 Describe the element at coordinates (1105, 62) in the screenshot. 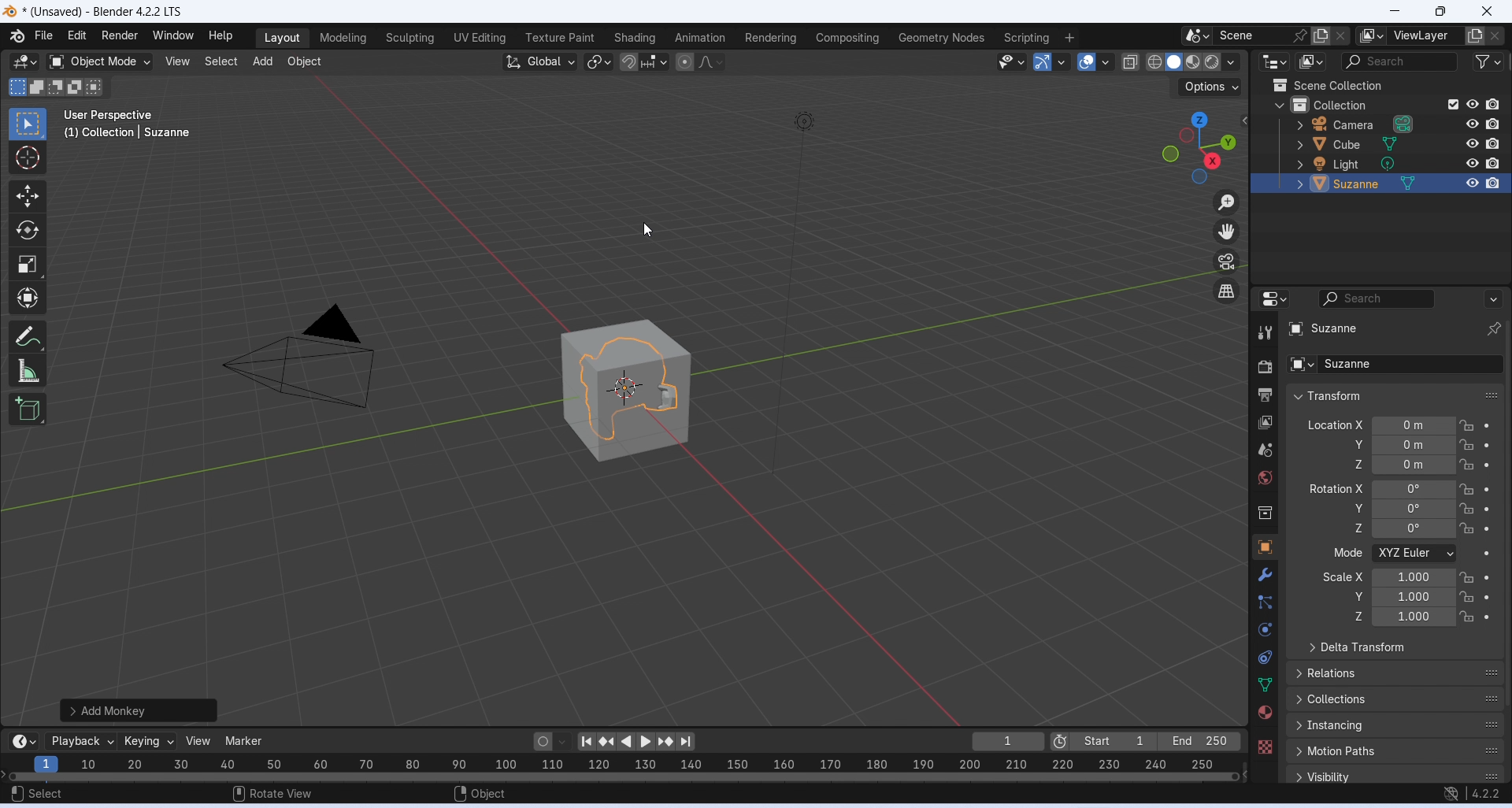

I see `overlays` at that location.